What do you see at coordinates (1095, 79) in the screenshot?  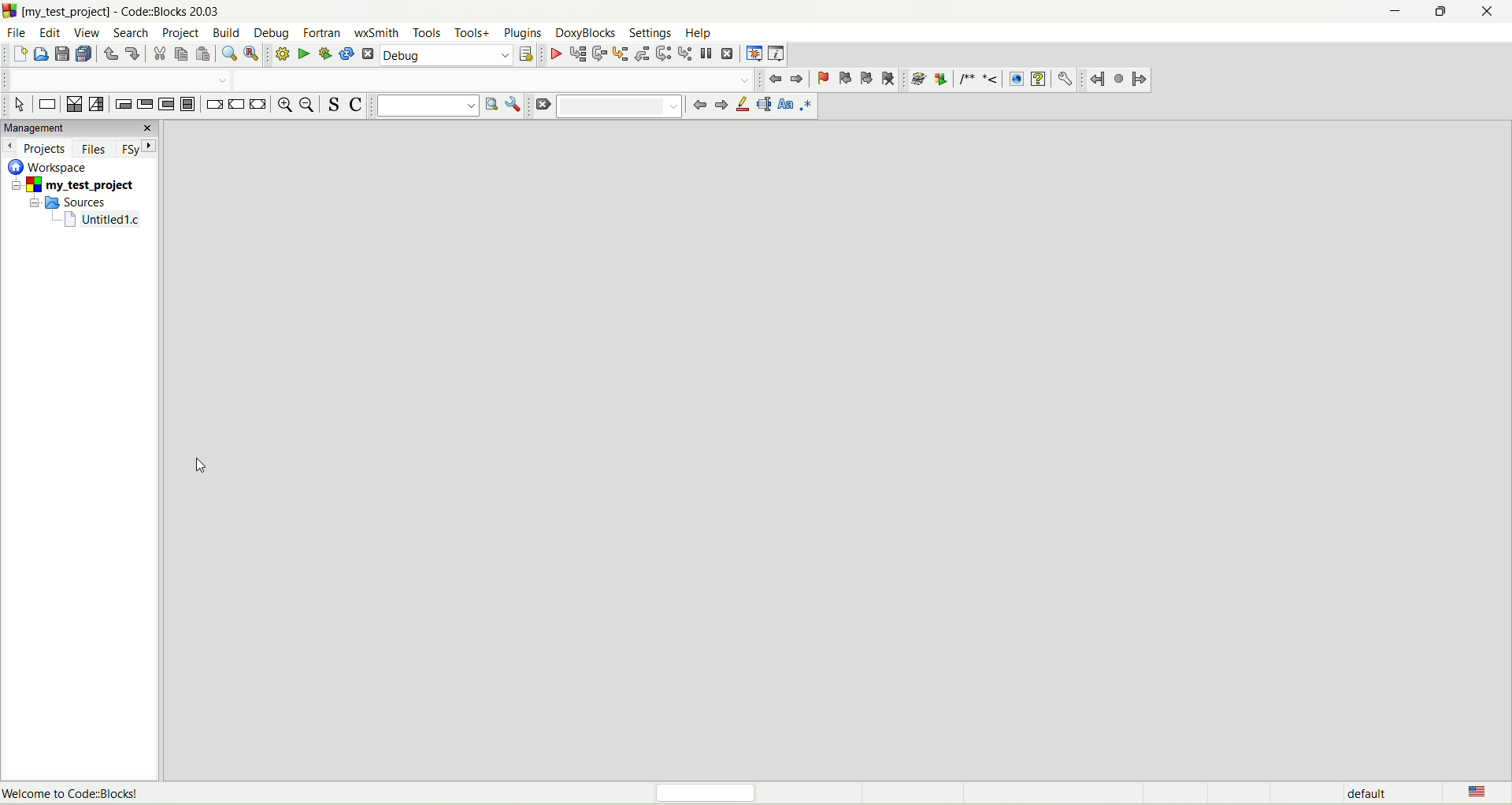 I see `jump back` at bounding box center [1095, 79].